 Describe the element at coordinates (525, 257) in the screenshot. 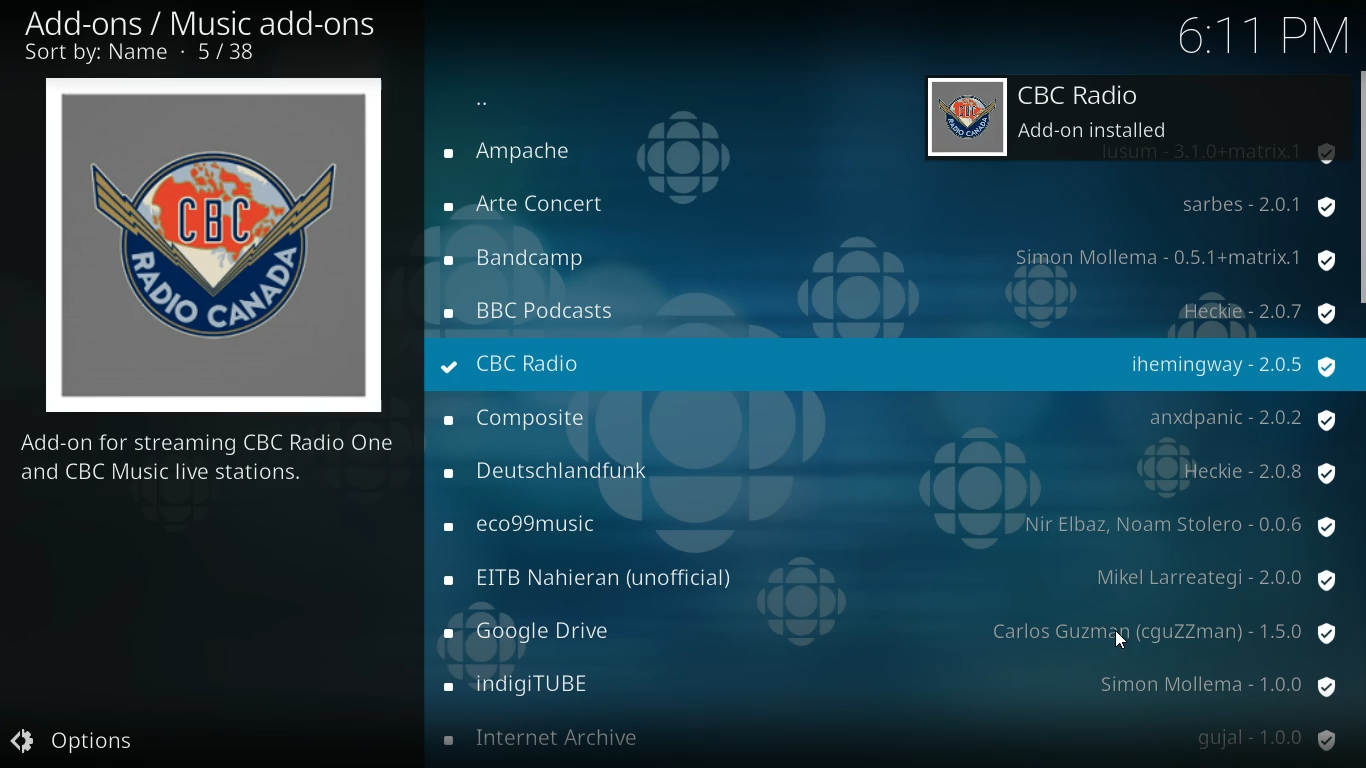

I see `radio name` at that location.